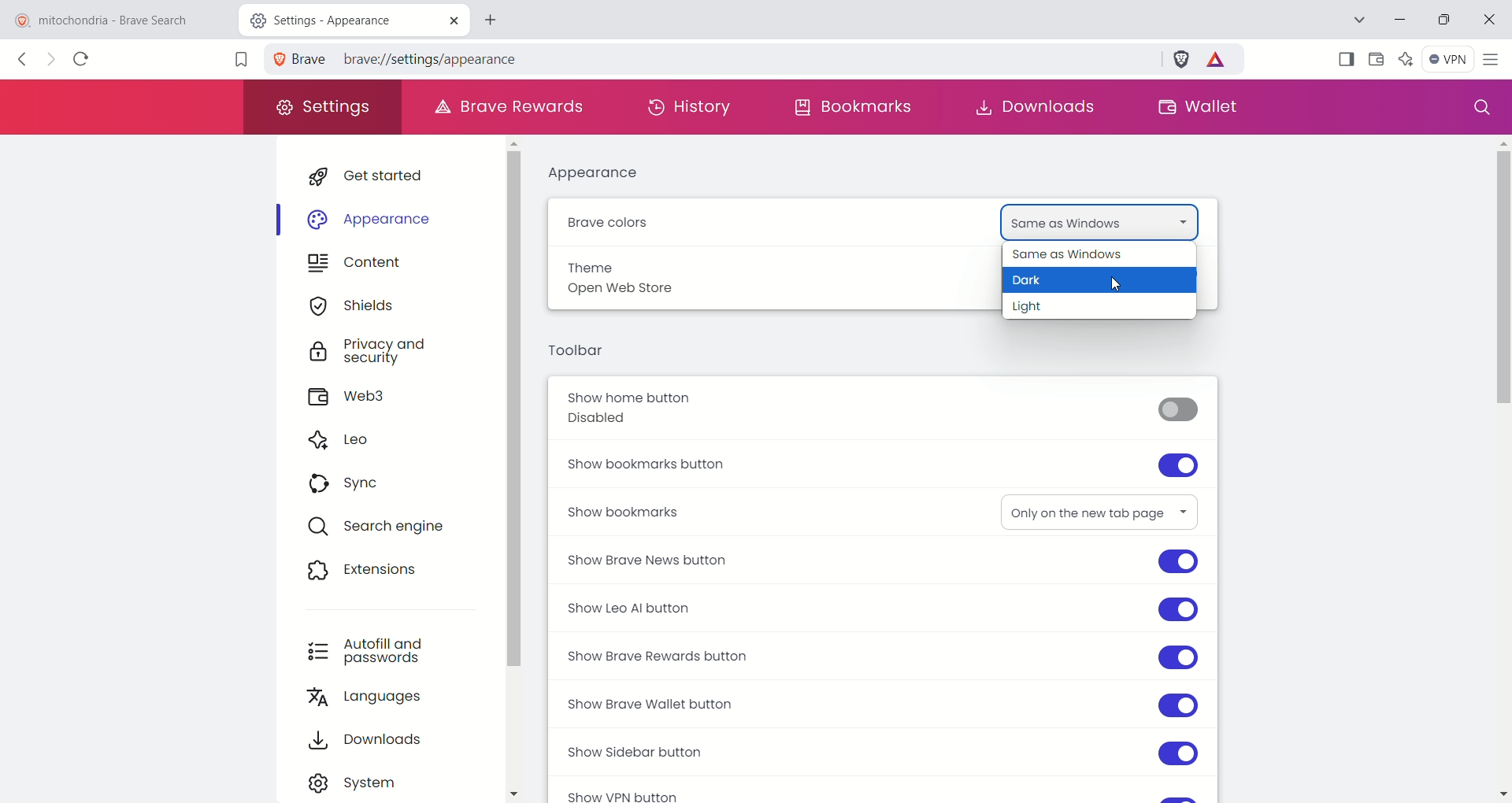 The image size is (1512, 803). What do you see at coordinates (1493, 16) in the screenshot?
I see `close` at bounding box center [1493, 16].